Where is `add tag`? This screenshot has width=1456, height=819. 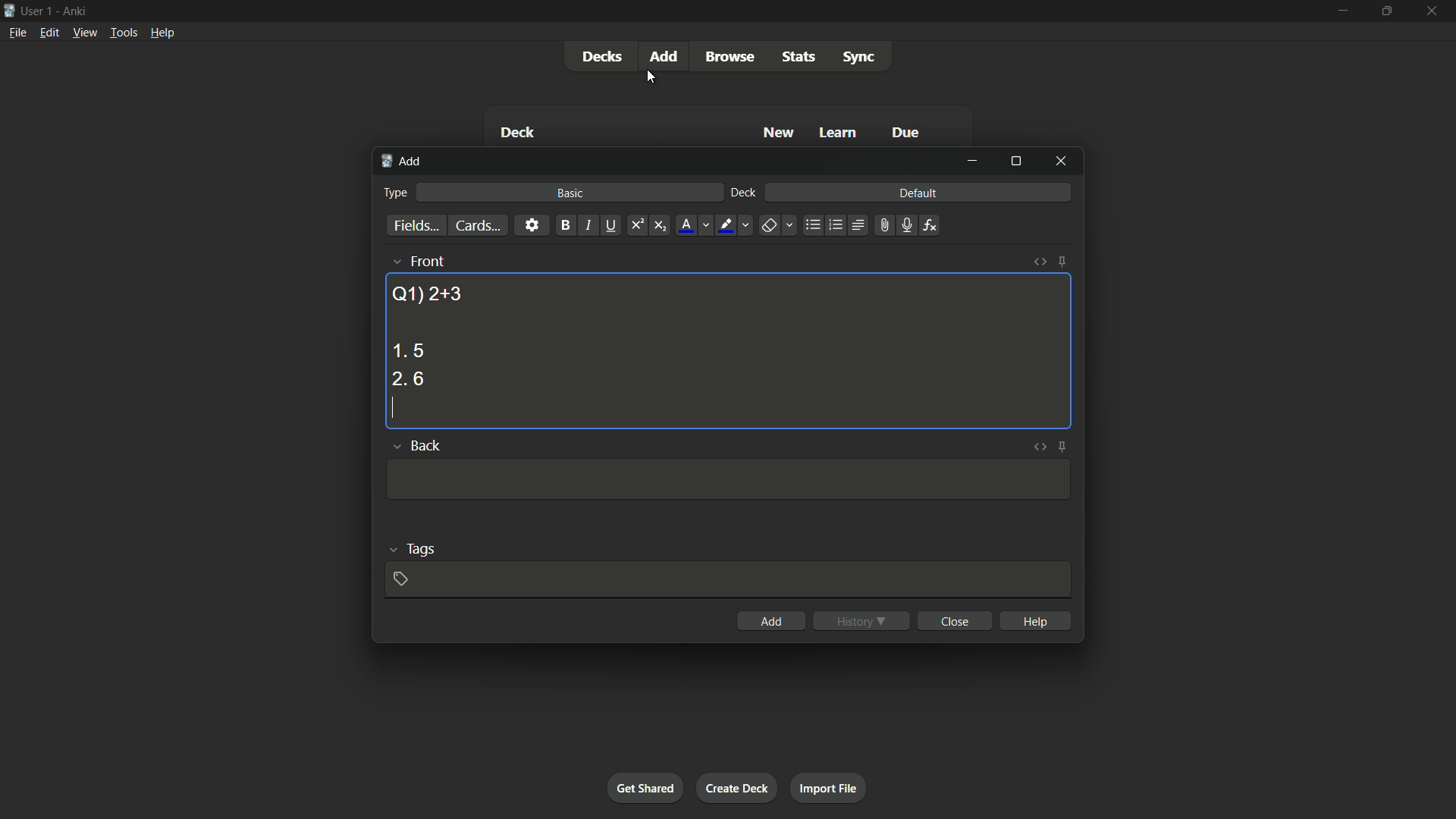
add tag is located at coordinates (400, 579).